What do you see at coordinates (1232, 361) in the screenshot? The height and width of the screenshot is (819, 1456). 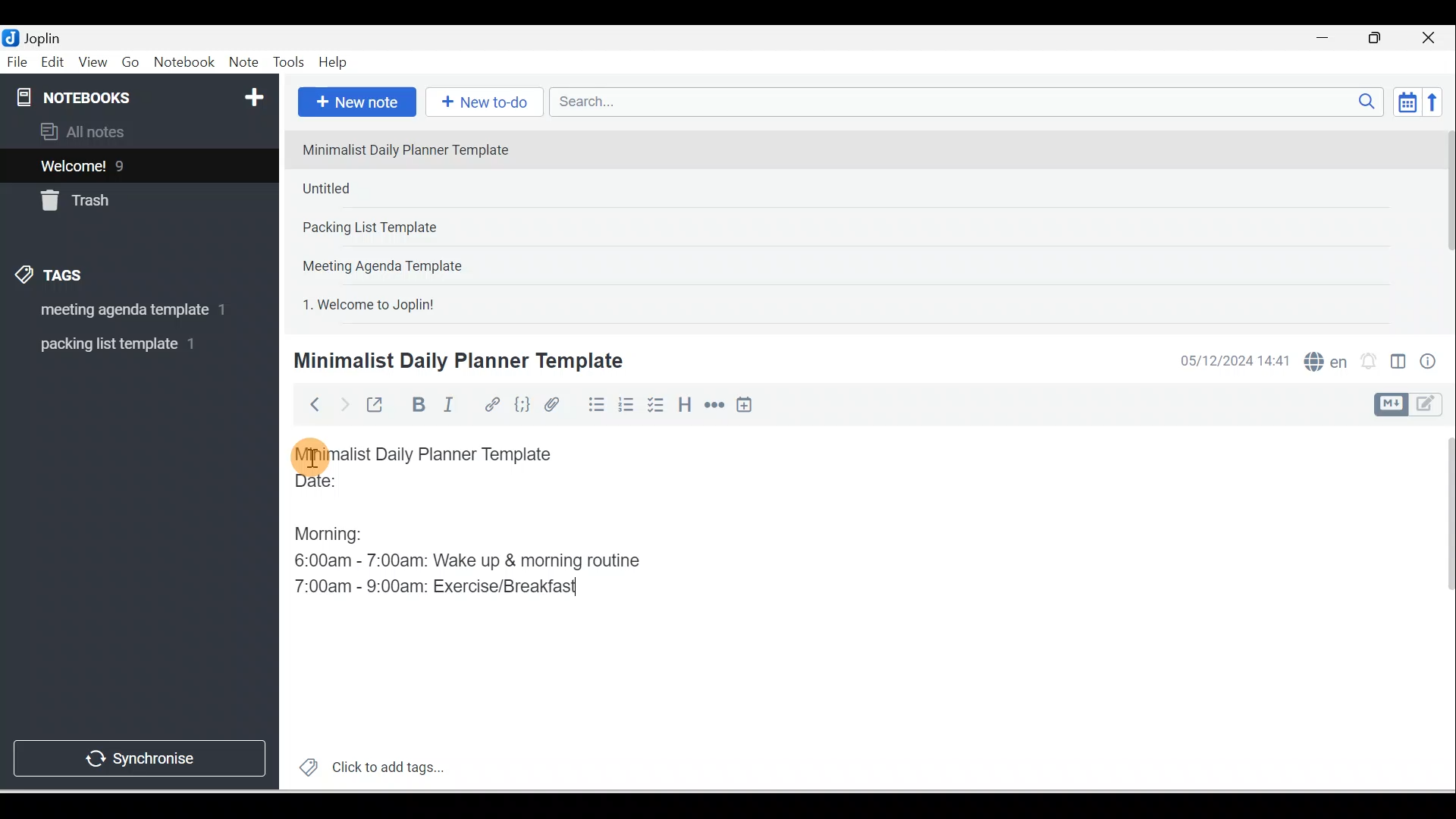 I see `Date & time` at bounding box center [1232, 361].